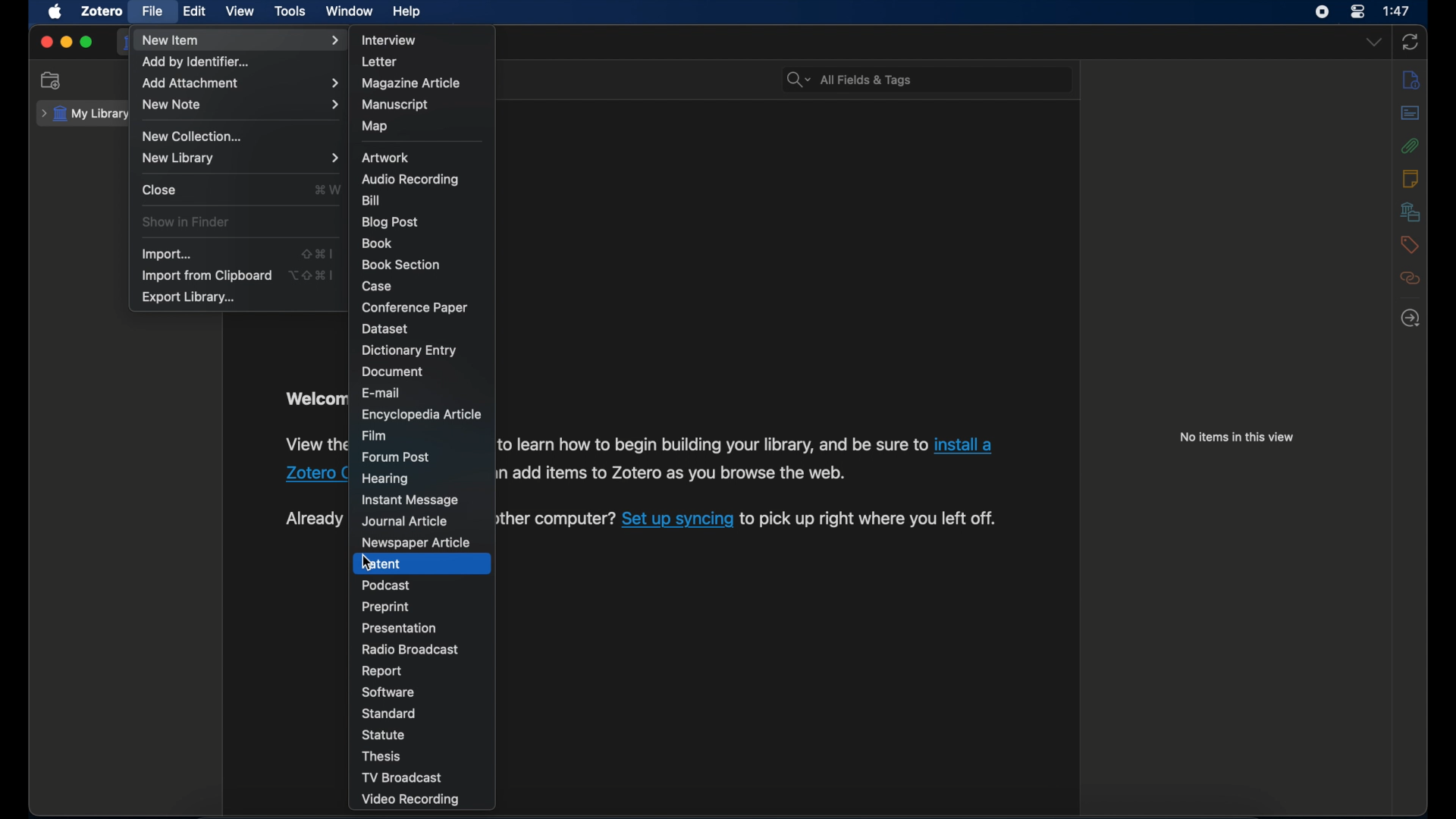  Describe the element at coordinates (409, 350) in the screenshot. I see `dictionary item` at that location.